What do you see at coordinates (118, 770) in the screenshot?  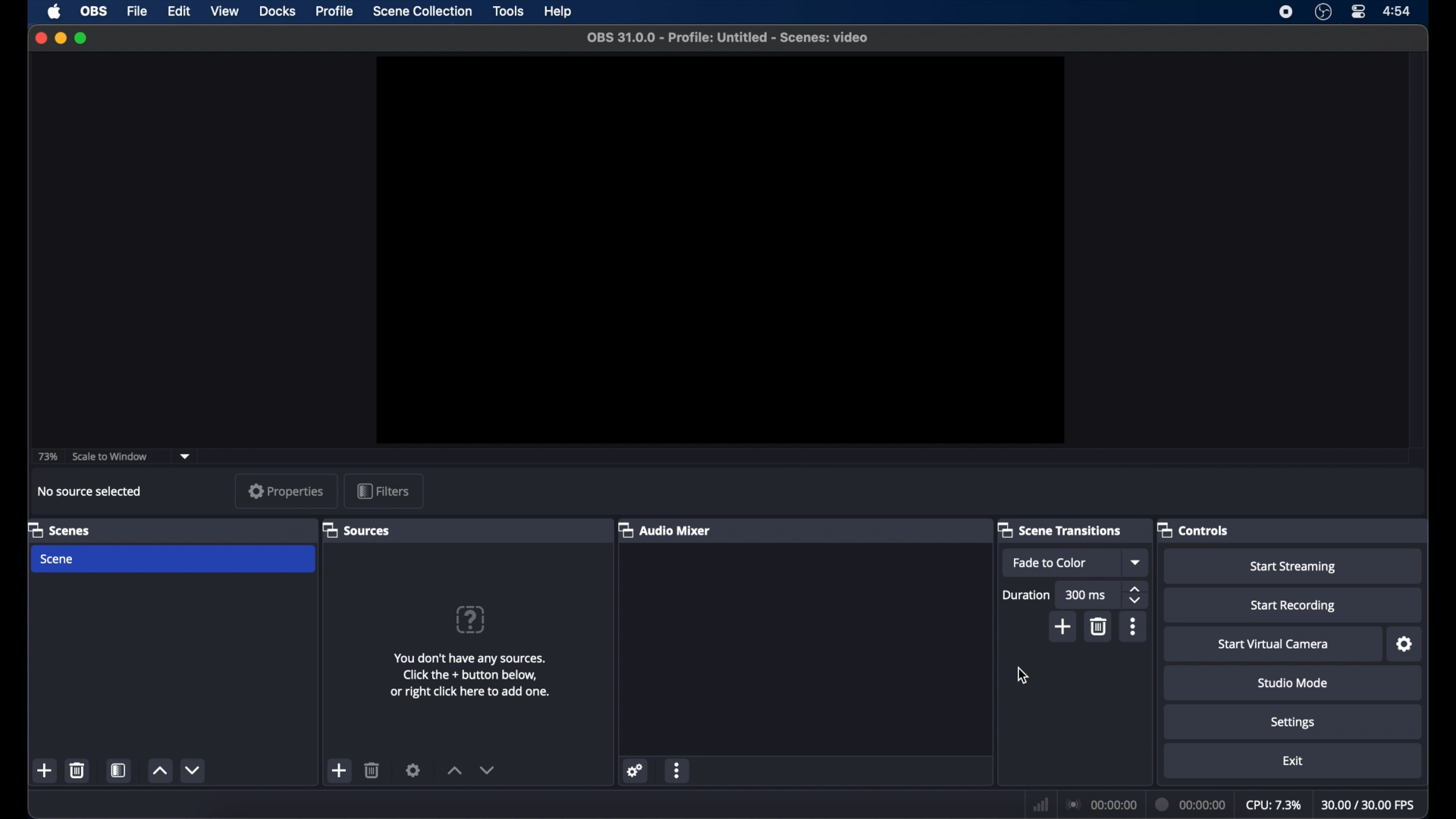 I see `scene filters` at bounding box center [118, 770].